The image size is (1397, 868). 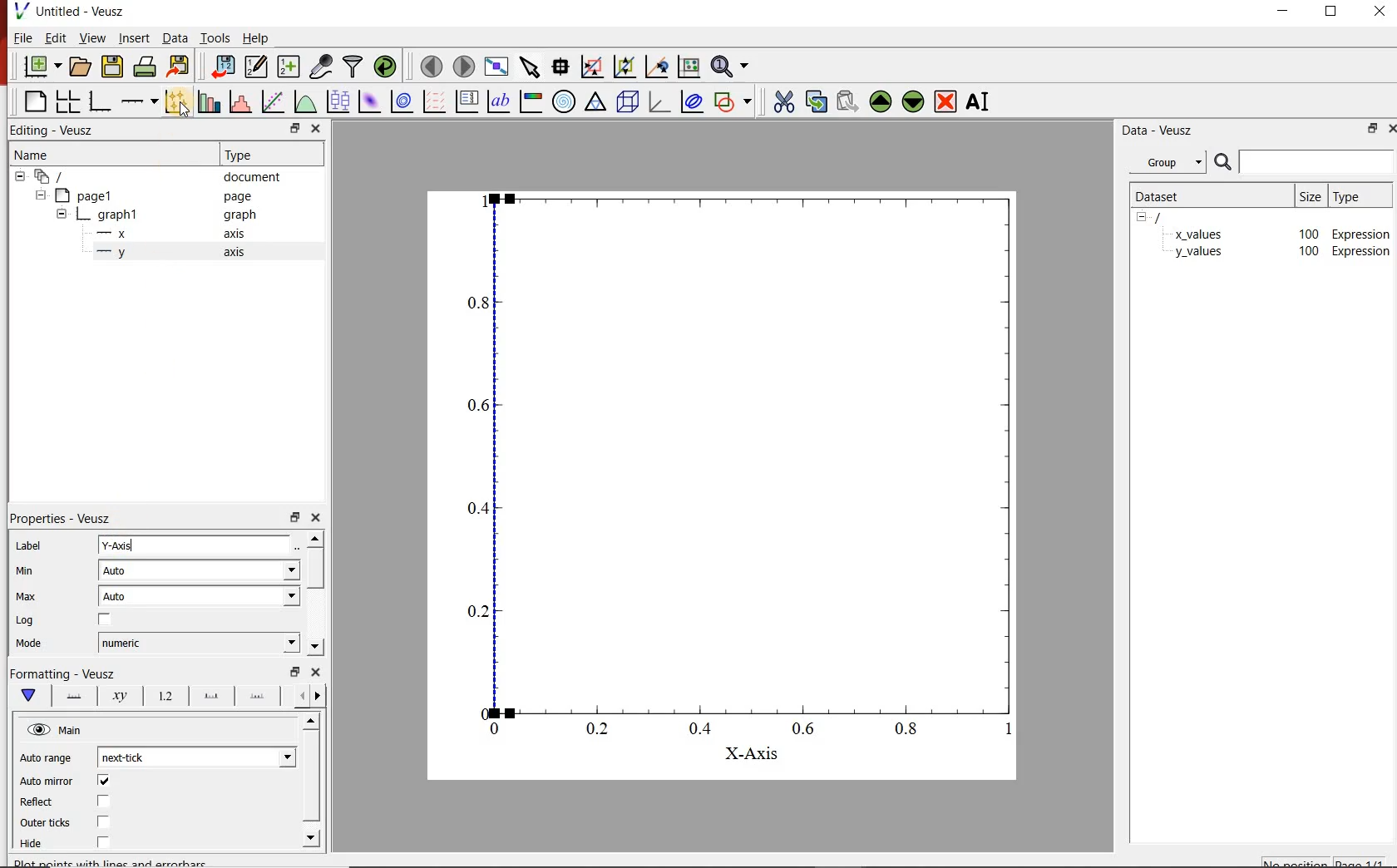 What do you see at coordinates (1282, 13) in the screenshot?
I see `minimize` at bounding box center [1282, 13].